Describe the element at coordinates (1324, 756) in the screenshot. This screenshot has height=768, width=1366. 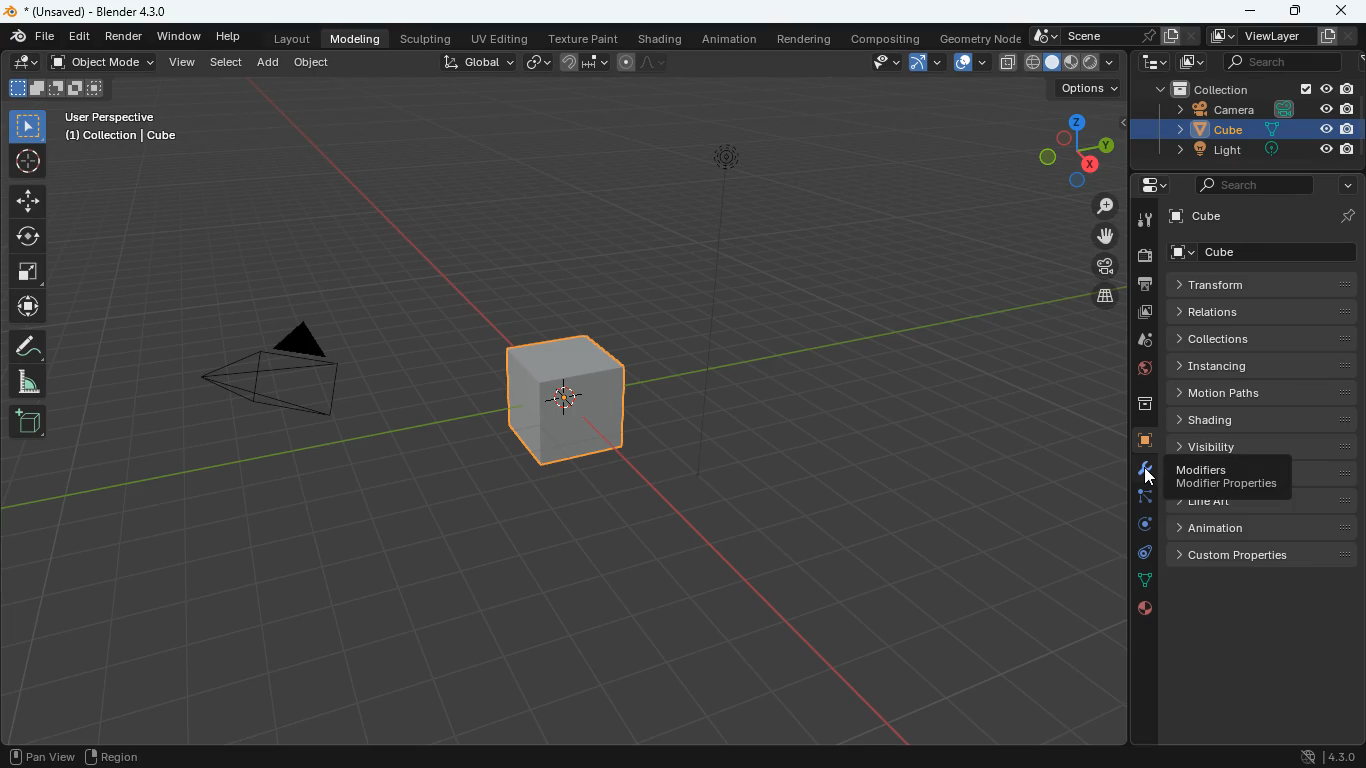
I see `version` at that location.